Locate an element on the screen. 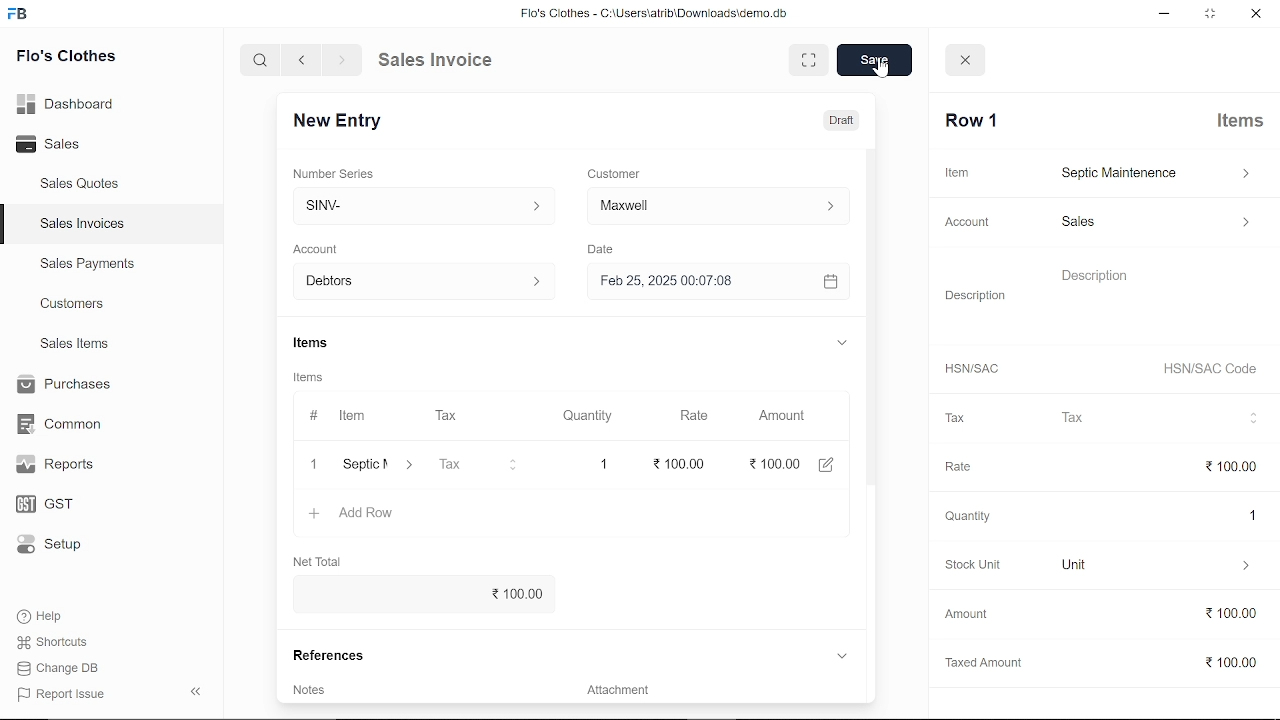 The height and width of the screenshot is (720, 1280). septic maintenance is located at coordinates (1156, 173).